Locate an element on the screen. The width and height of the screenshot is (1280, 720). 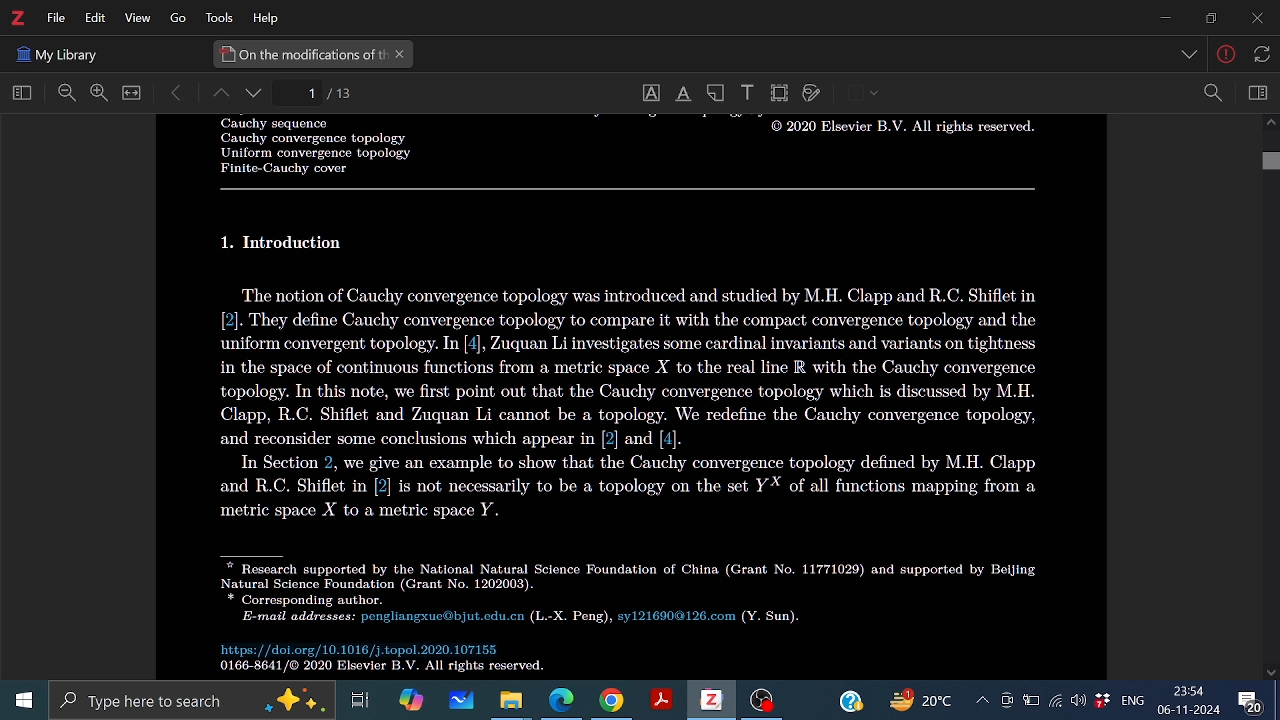
dropbox is located at coordinates (1103, 702).